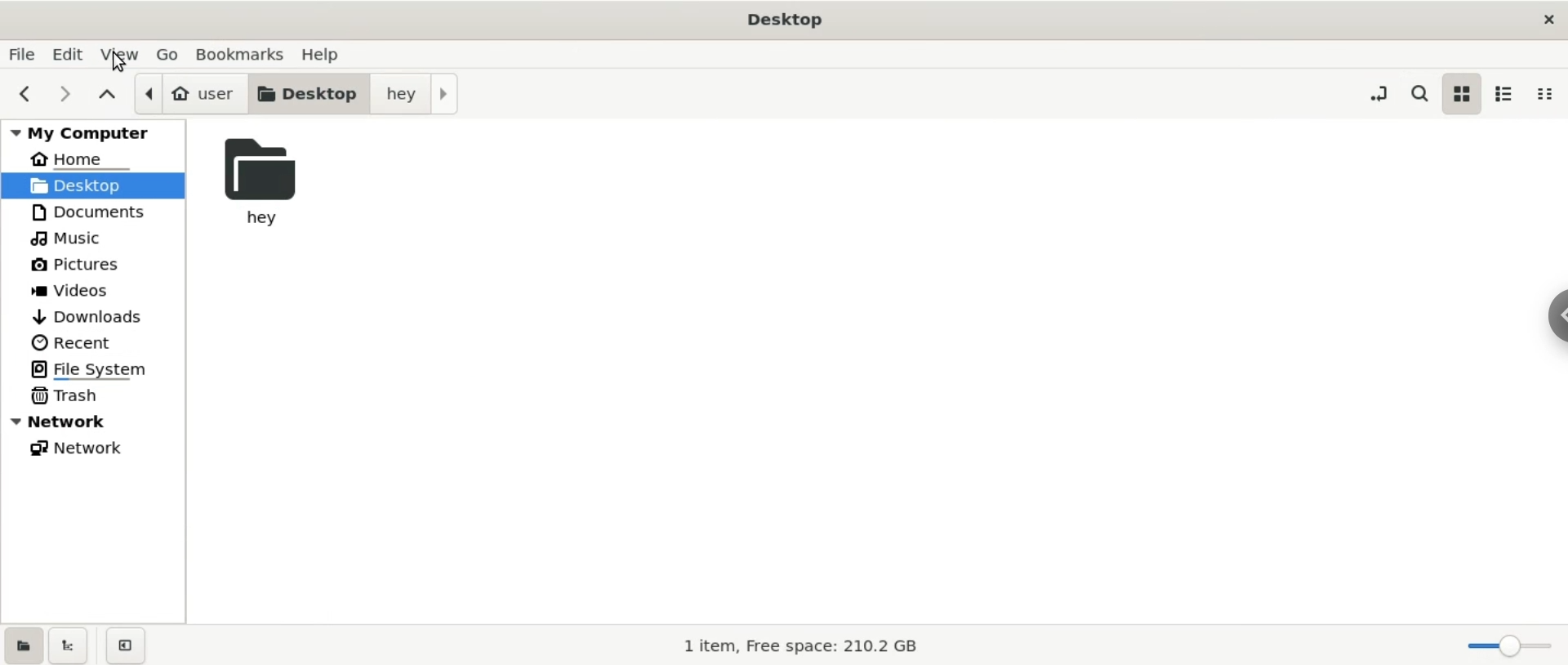  What do you see at coordinates (242, 53) in the screenshot?
I see `bookmarks` at bounding box center [242, 53].